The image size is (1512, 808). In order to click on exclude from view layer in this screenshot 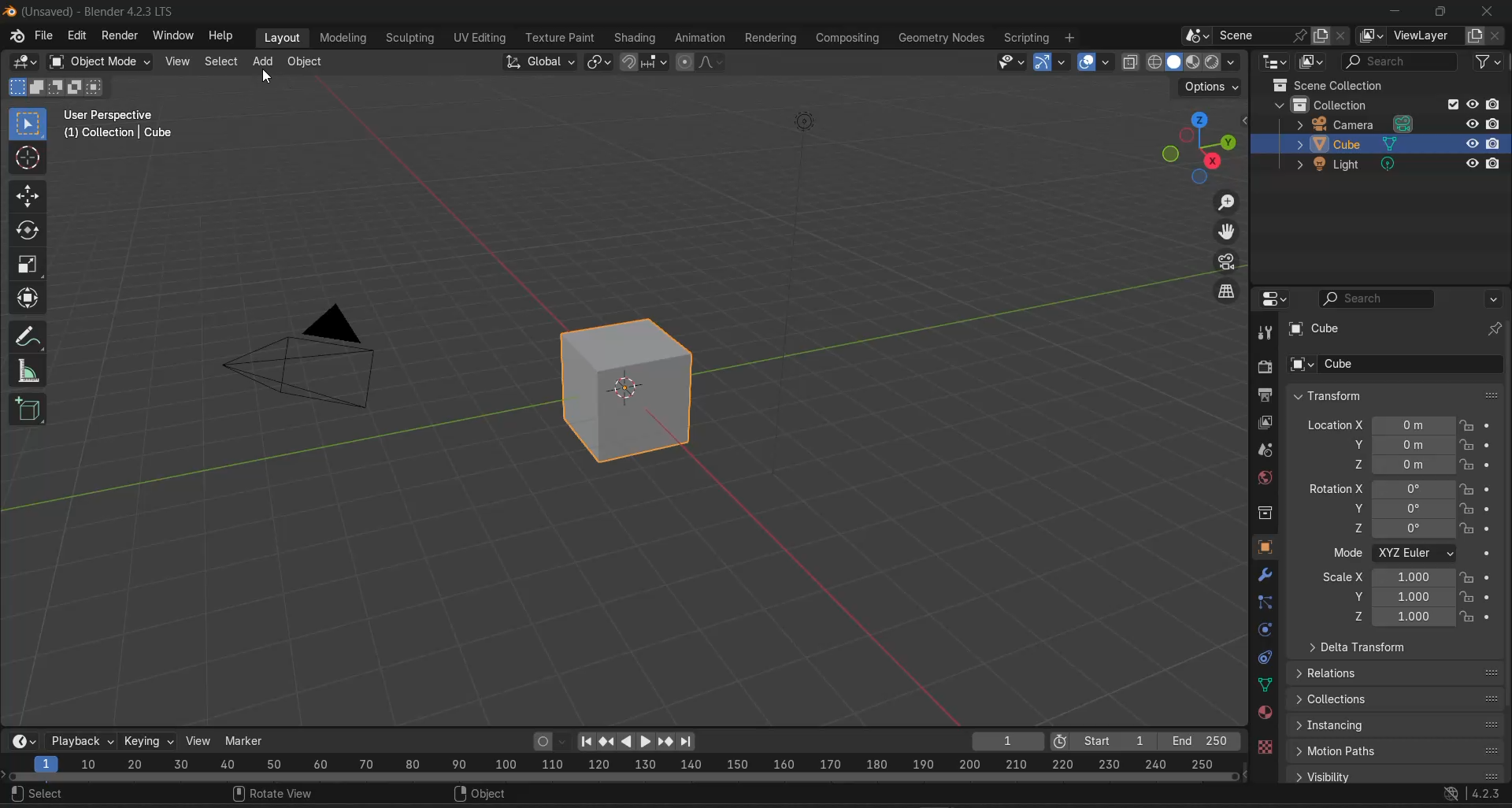, I will do `click(1452, 105)`.